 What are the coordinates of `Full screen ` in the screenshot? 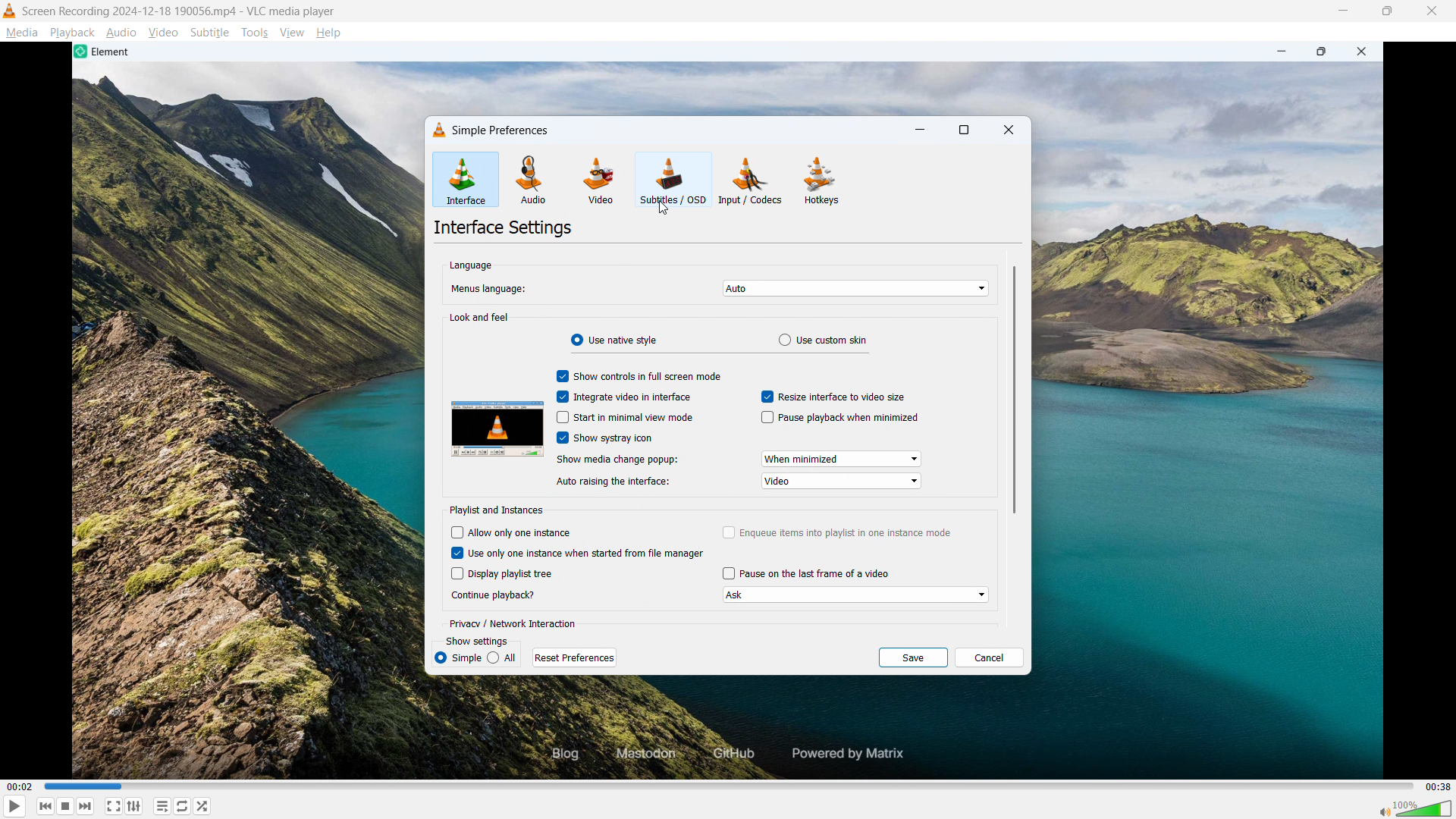 It's located at (113, 805).